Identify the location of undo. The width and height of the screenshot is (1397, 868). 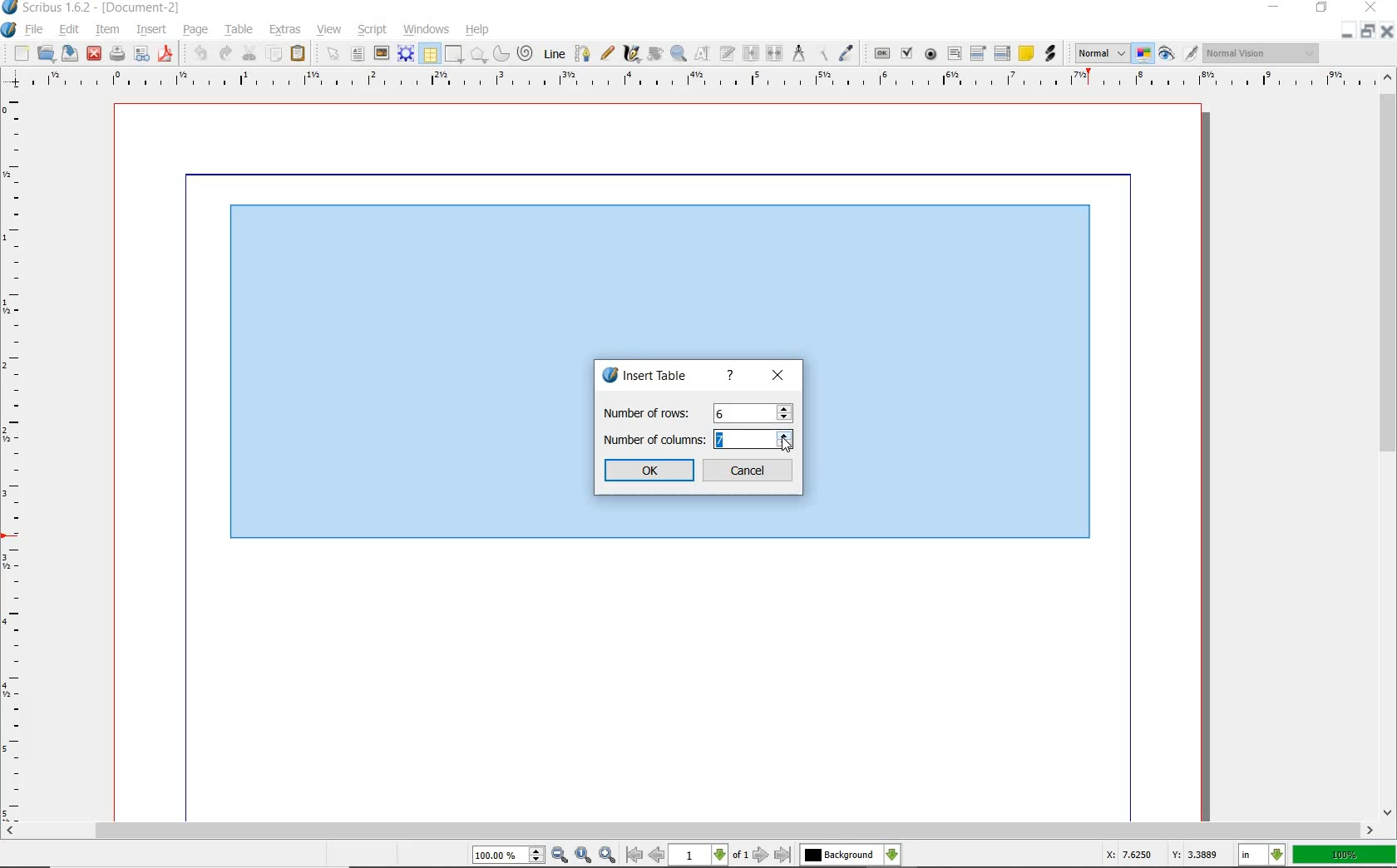
(201, 54).